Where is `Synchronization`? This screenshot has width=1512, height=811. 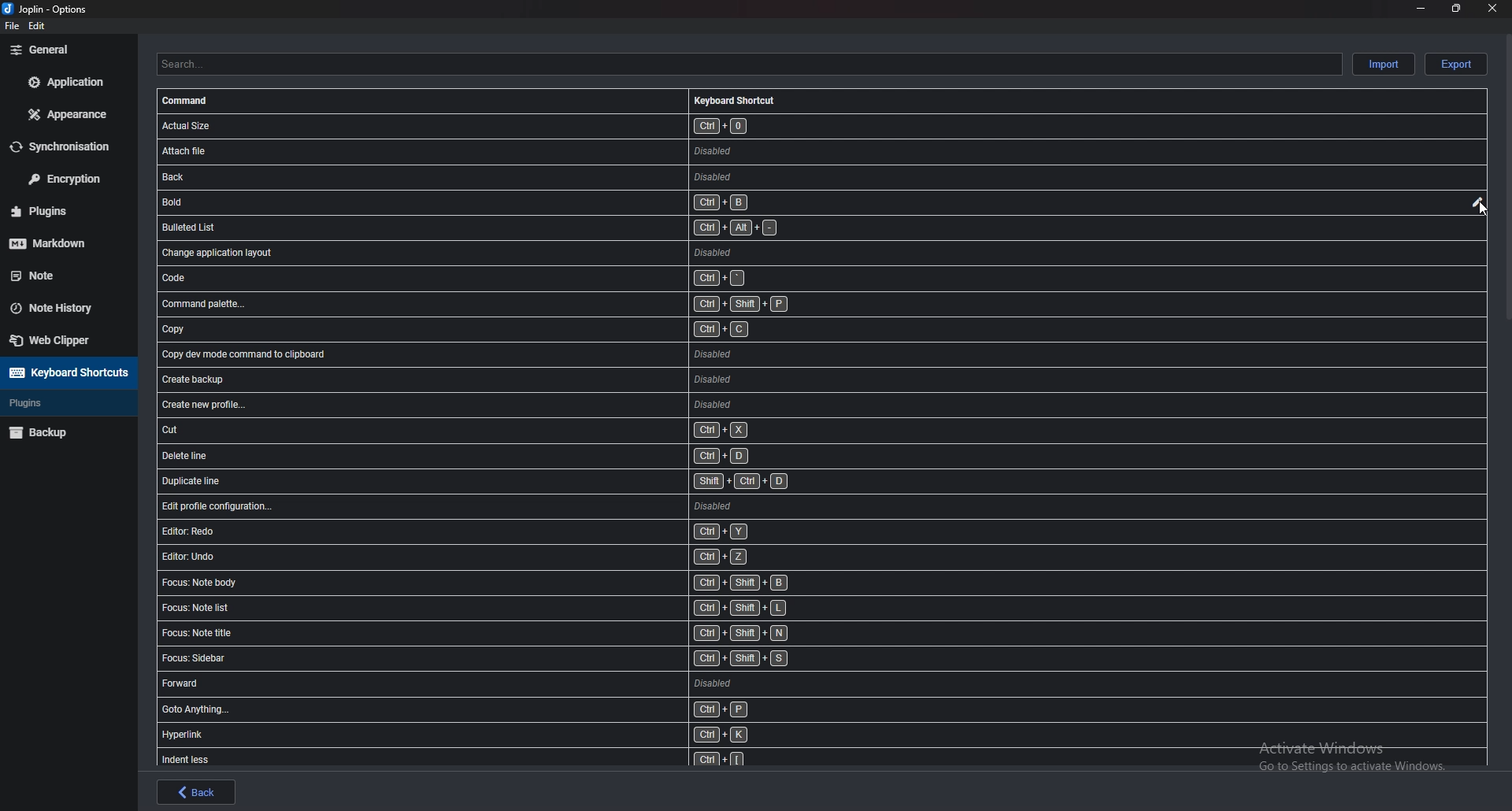 Synchronization is located at coordinates (68, 146).